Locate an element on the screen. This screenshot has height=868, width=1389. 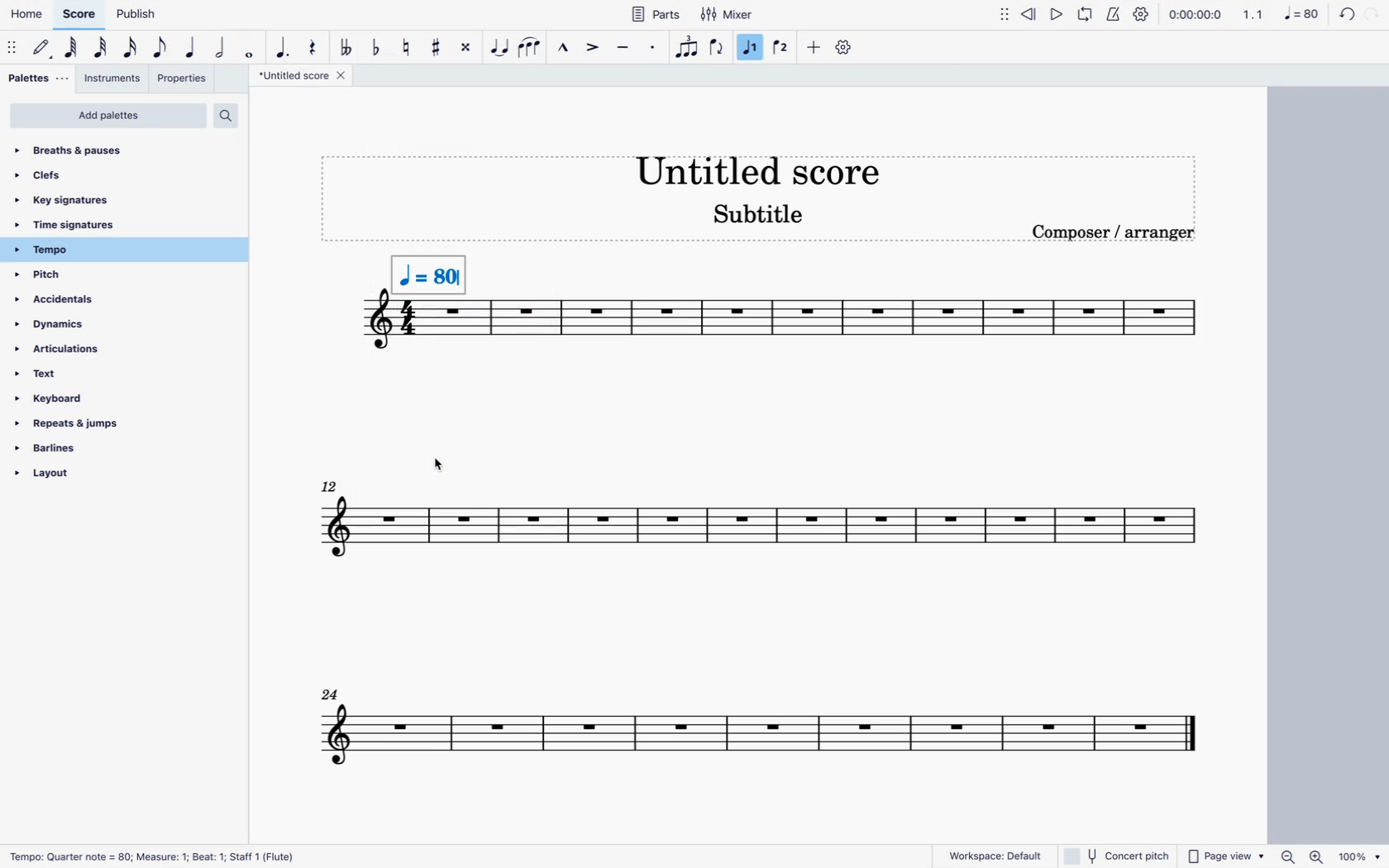
tempo is located at coordinates (118, 250).